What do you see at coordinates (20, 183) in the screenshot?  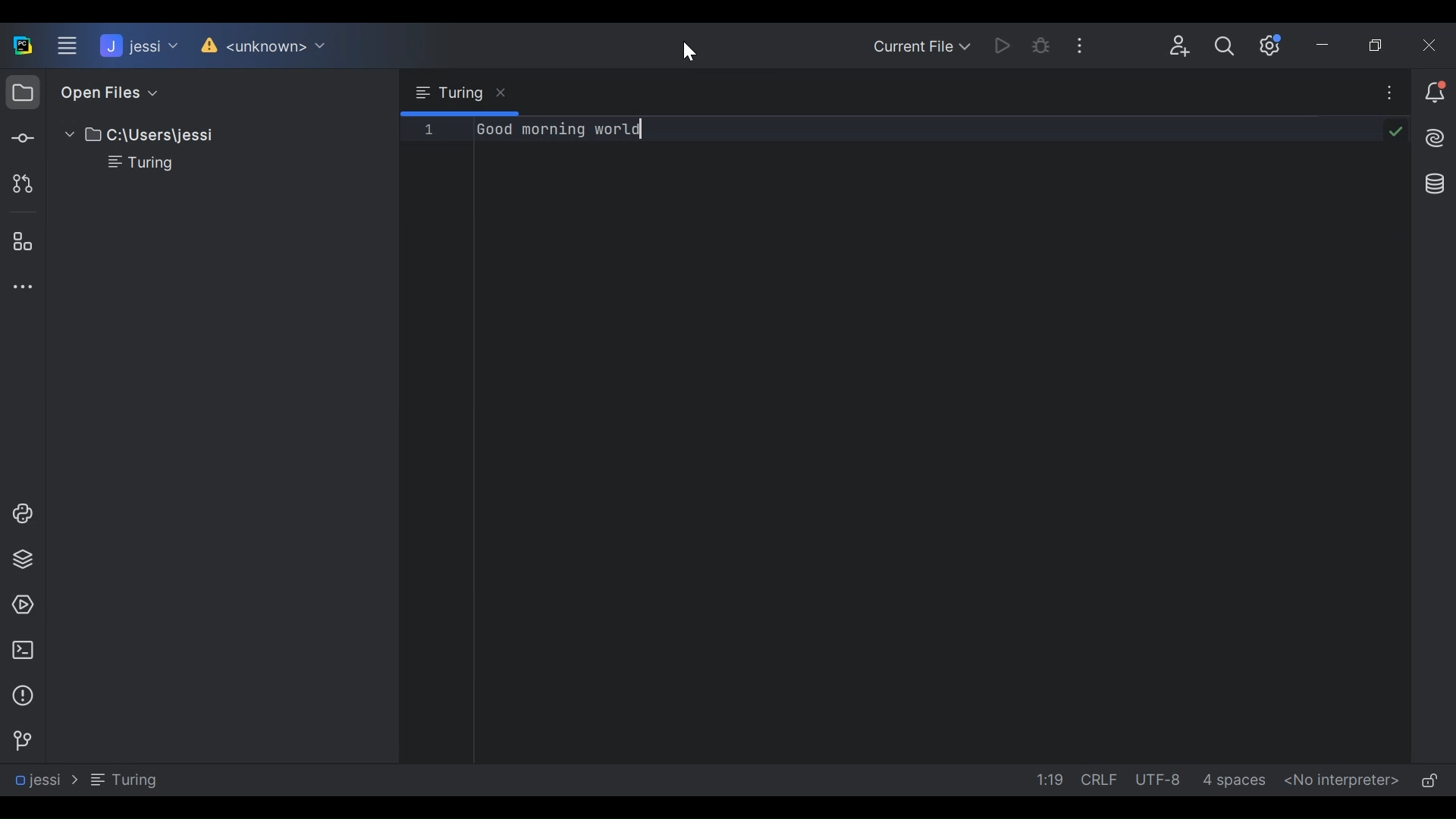 I see `Pull request` at bounding box center [20, 183].